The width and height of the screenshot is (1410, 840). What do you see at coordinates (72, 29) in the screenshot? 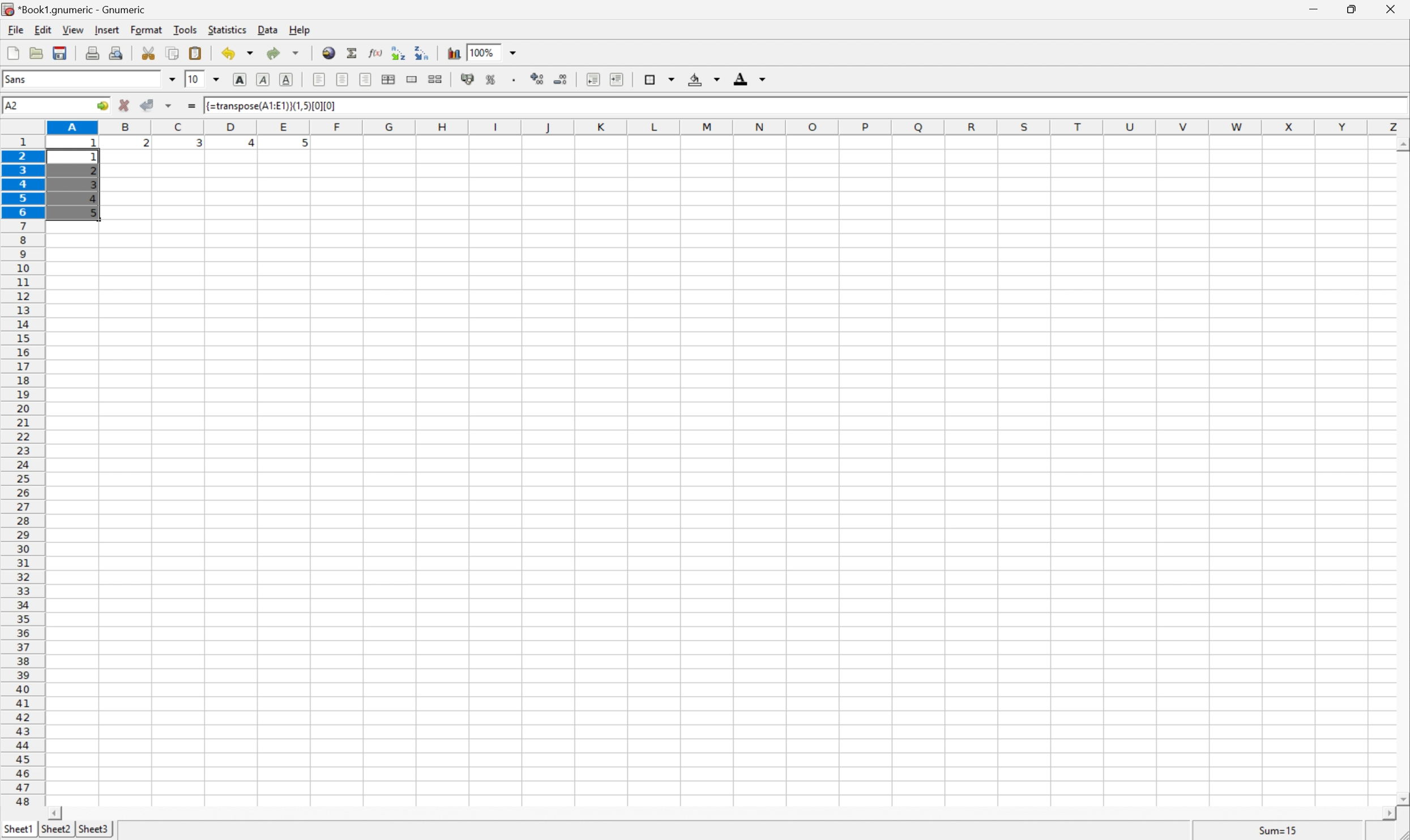
I see `view` at bounding box center [72, 29].